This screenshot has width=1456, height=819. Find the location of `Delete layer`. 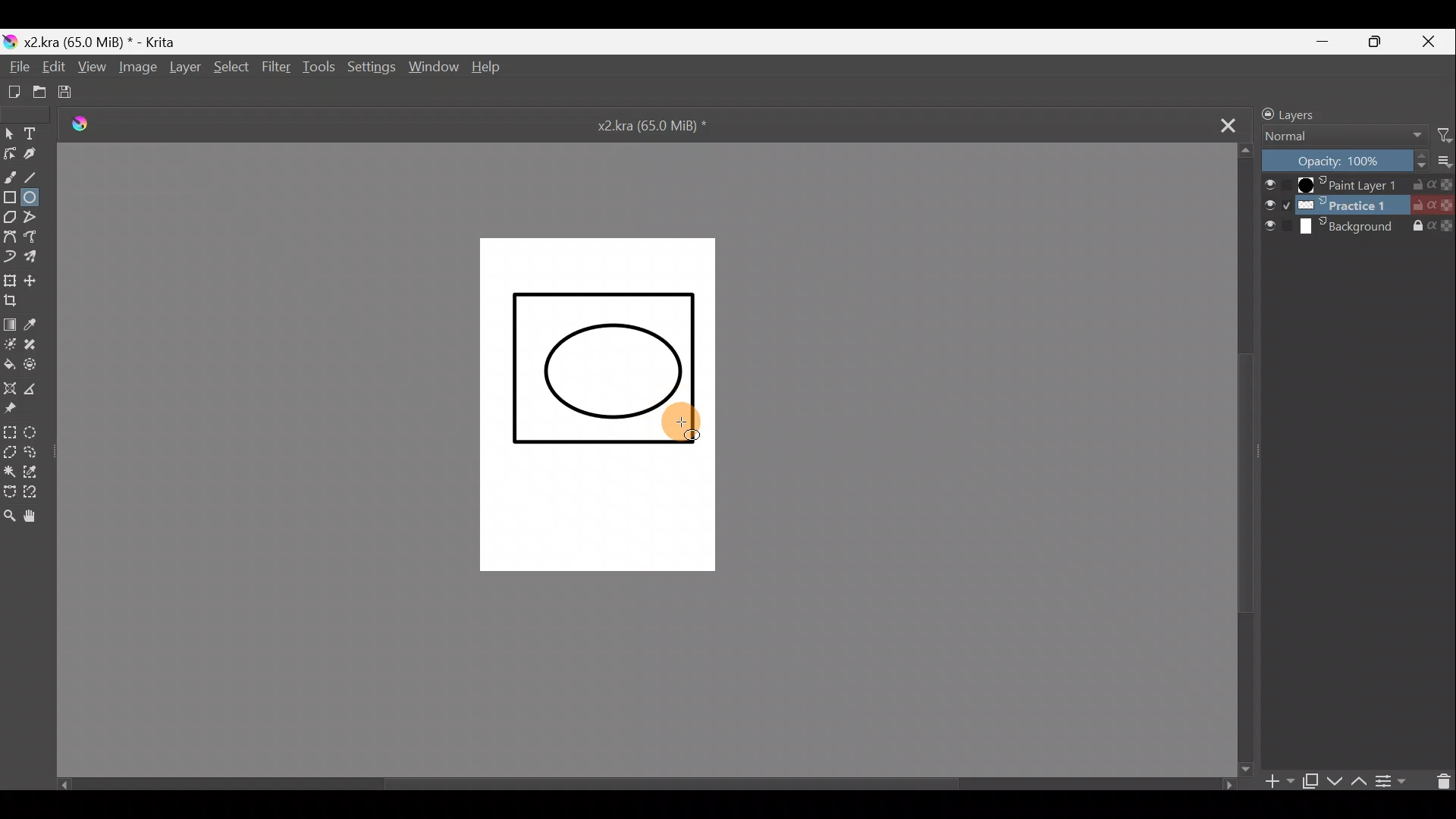

Delete layer is located at coordinates (1439, 782).